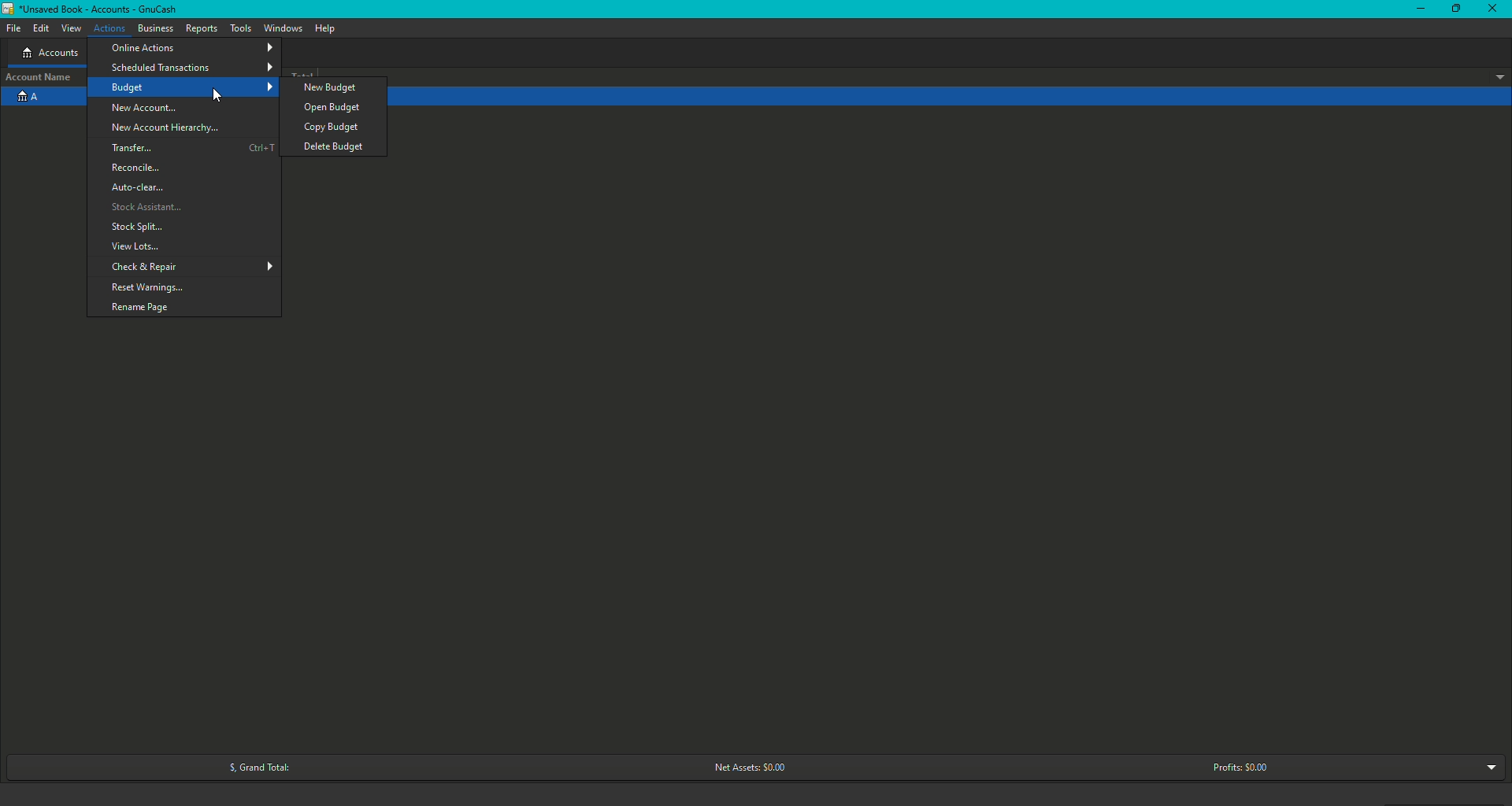  Describe the element at coordinates (149, 290) in the screenshot. I see `Reset Warnings` at that location.